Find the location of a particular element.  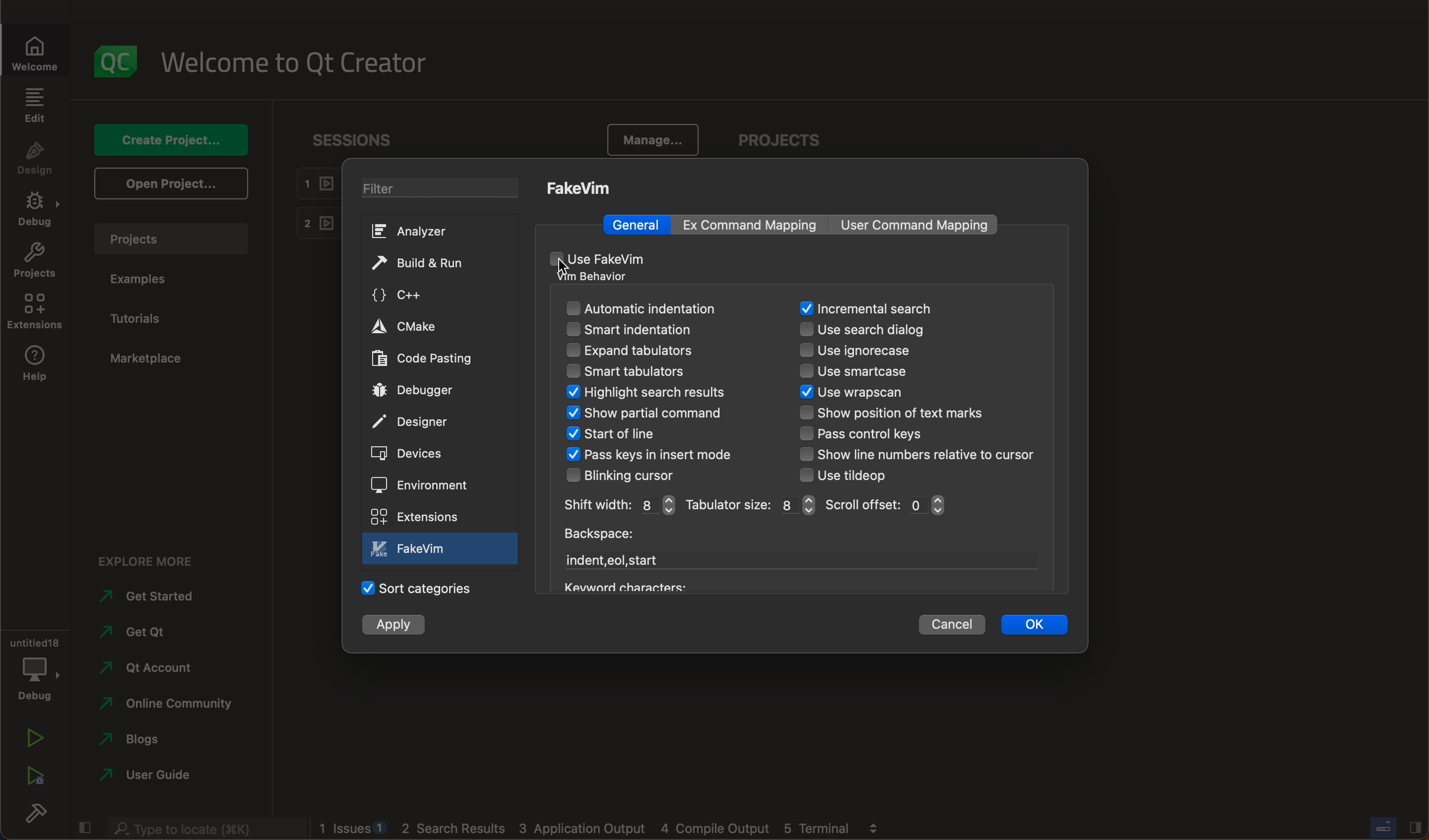

smart tabulators is located at coordinates (627, 371).